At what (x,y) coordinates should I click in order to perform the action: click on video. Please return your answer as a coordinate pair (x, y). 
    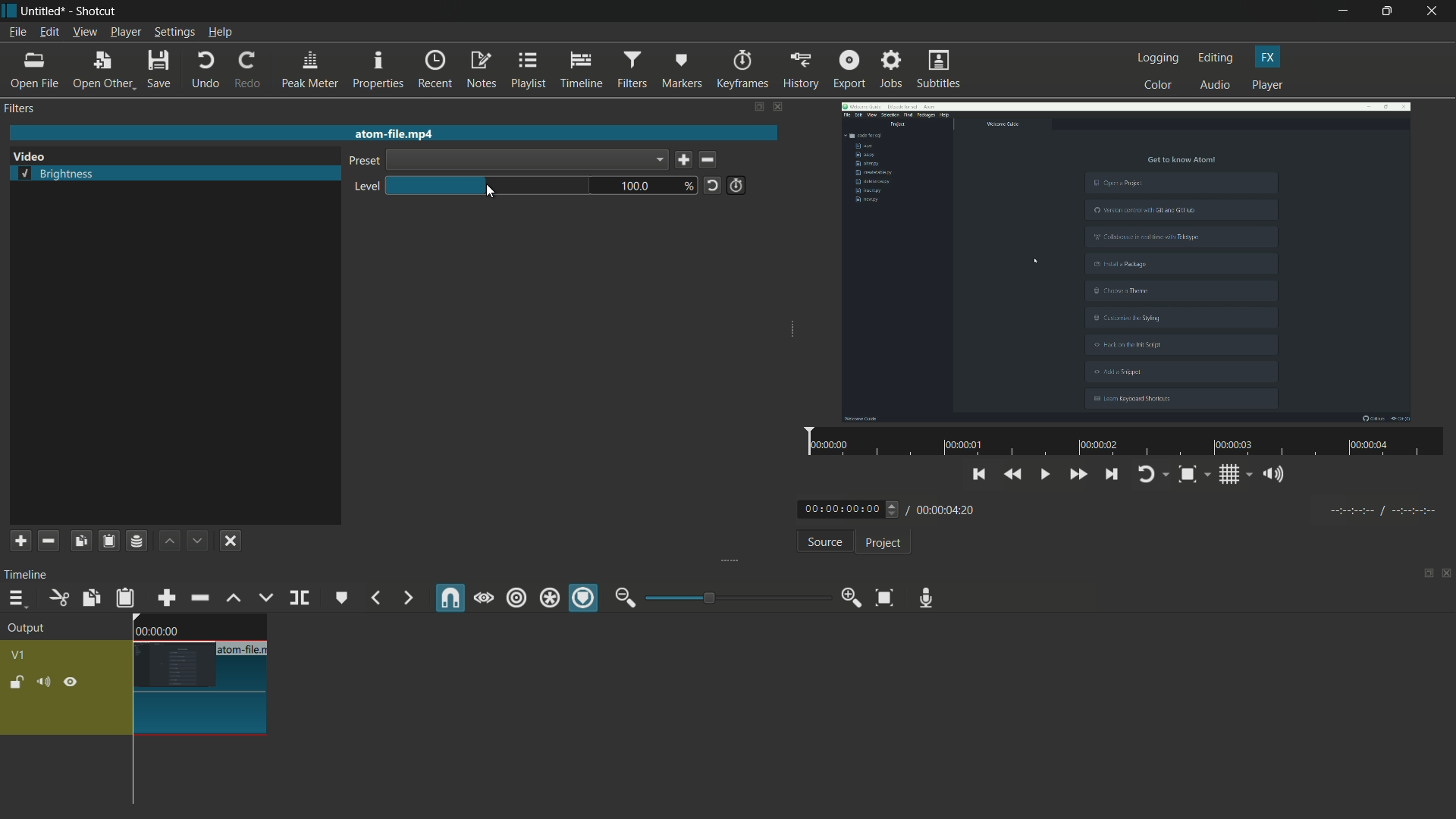
    Looking at the image, I should click on (1126, 260).